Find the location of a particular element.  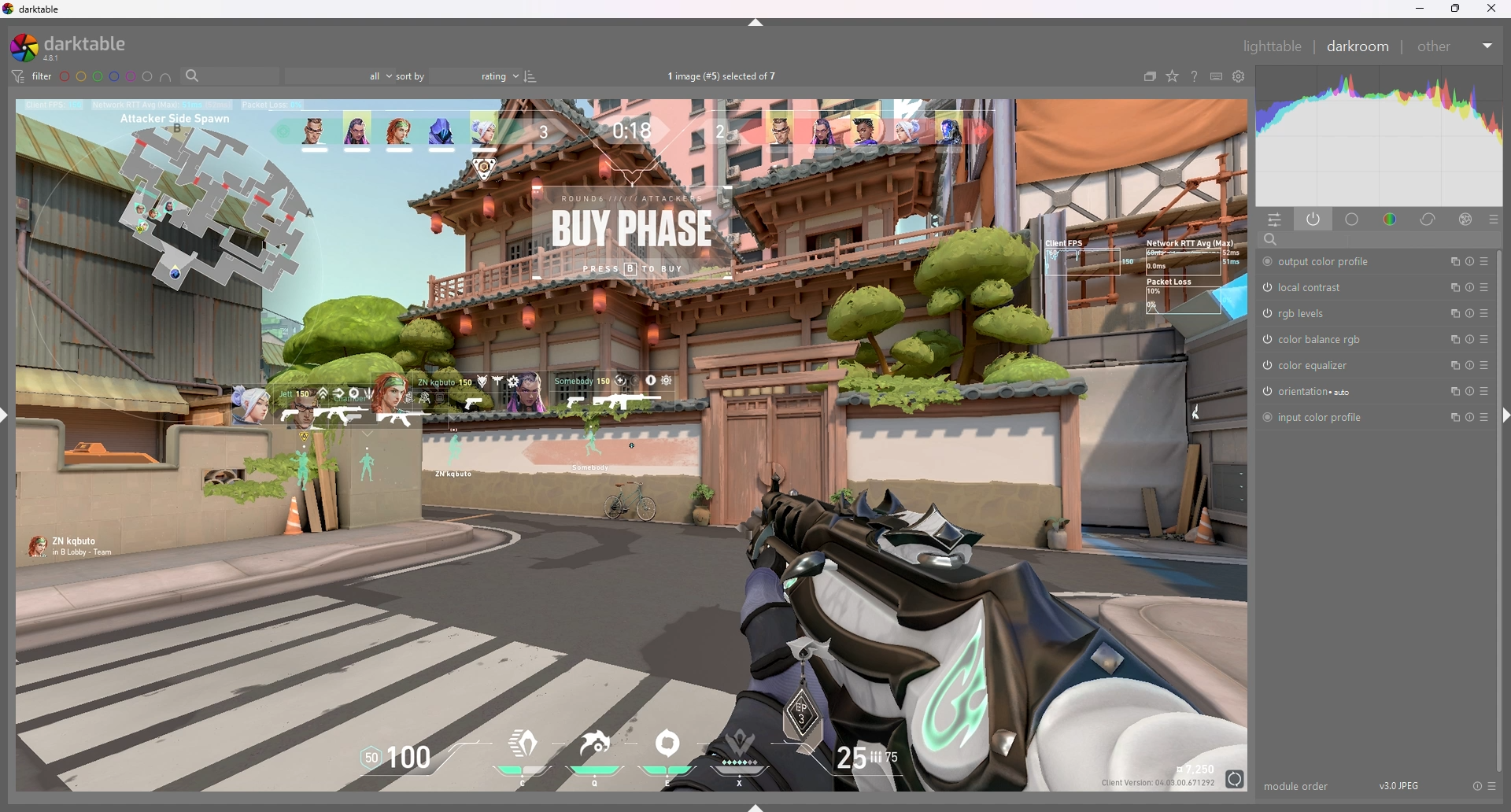

presets is located at coordinates (1484, 313).